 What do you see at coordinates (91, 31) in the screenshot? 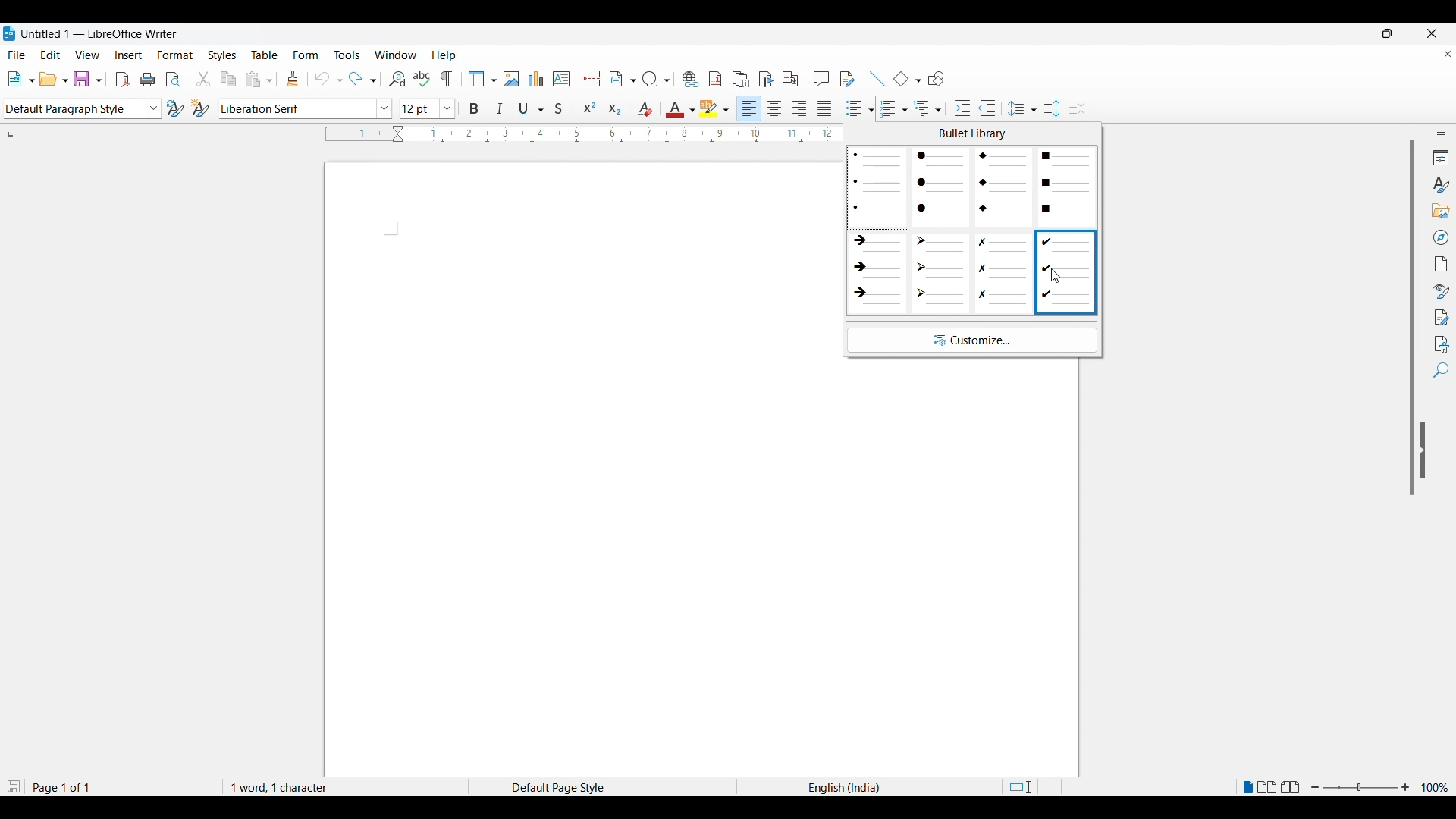
I see `Untitled 1 — LibreOffice Writer` at bounding box center [91, 31].